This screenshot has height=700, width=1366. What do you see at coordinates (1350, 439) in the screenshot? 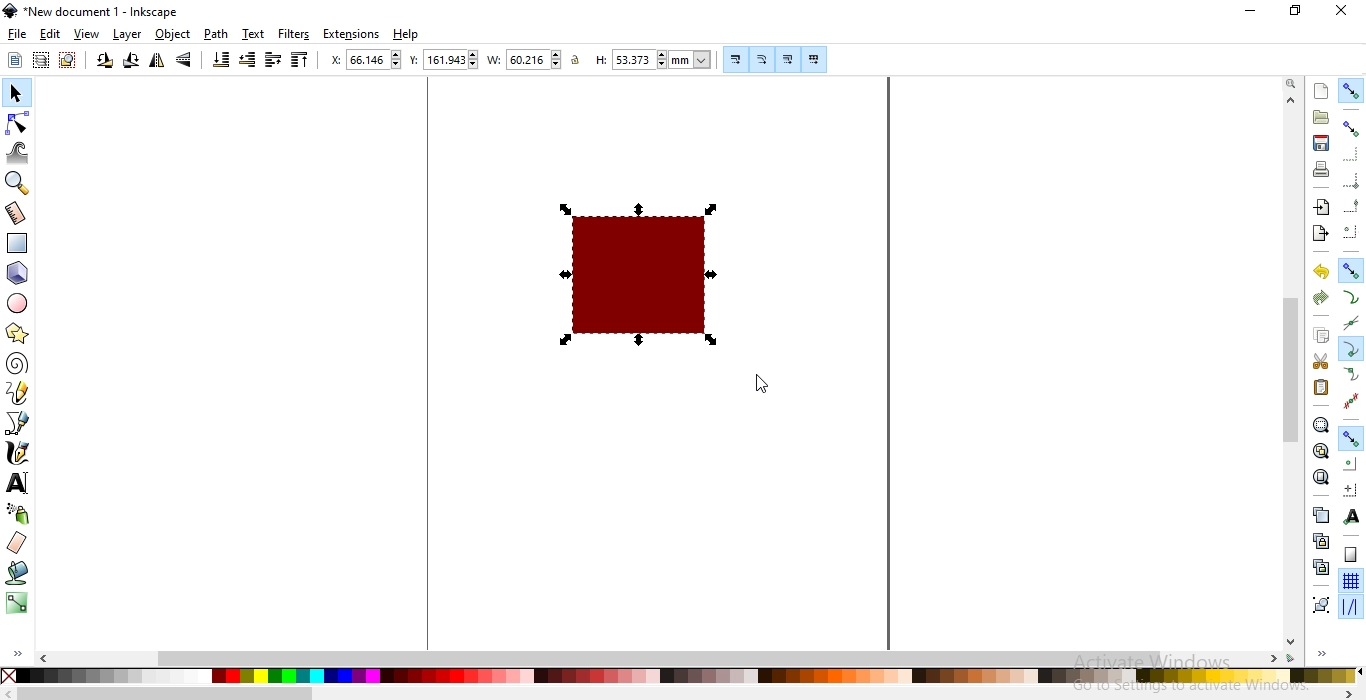
I see `snap nodes, paths and handles` at bounding box center [1350, 439].